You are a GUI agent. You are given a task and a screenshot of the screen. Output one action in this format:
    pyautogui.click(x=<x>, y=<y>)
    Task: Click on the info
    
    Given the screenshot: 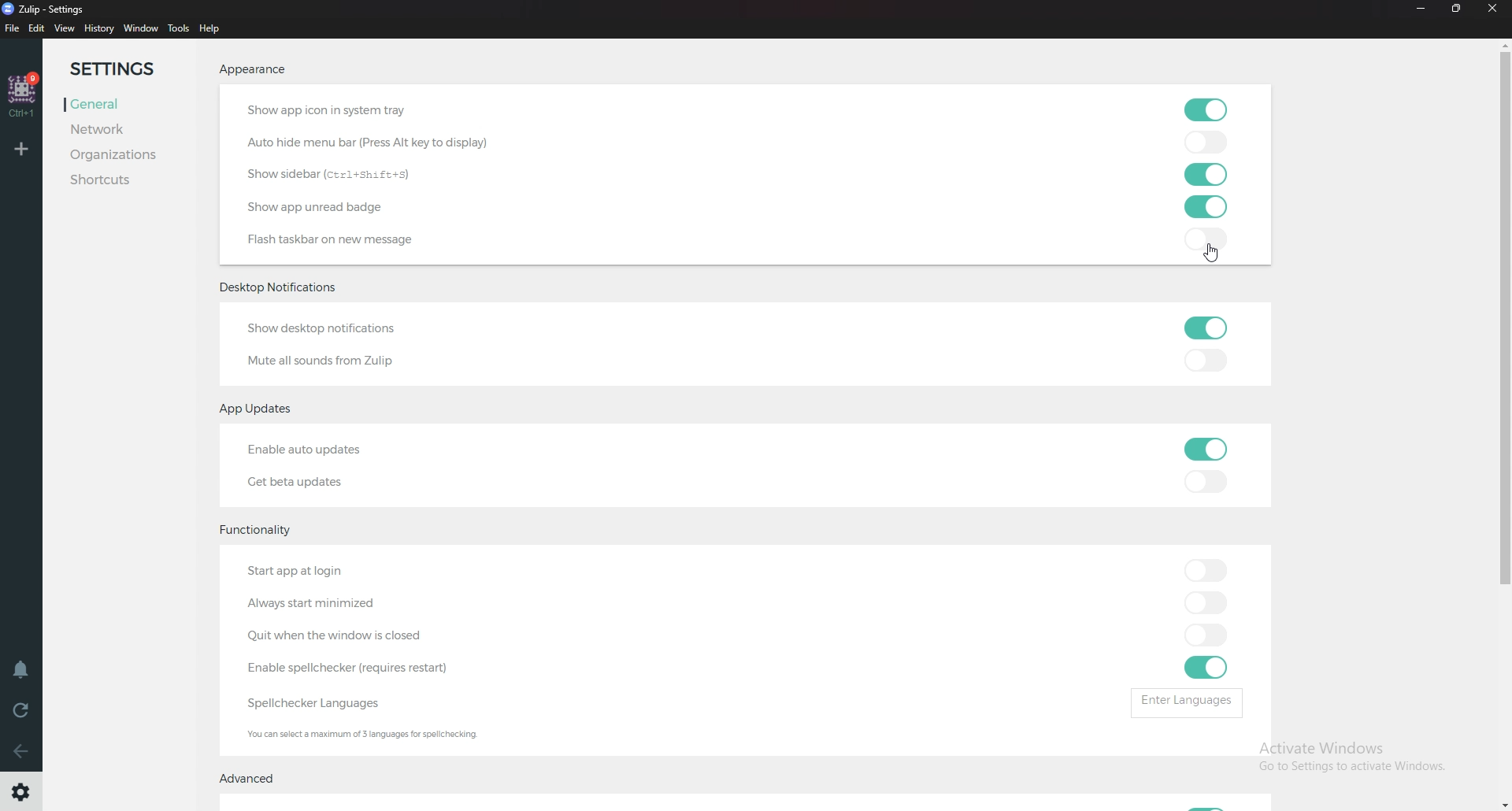 What is the action you would take?
    pyautogui.click(x=384, y=736)
    